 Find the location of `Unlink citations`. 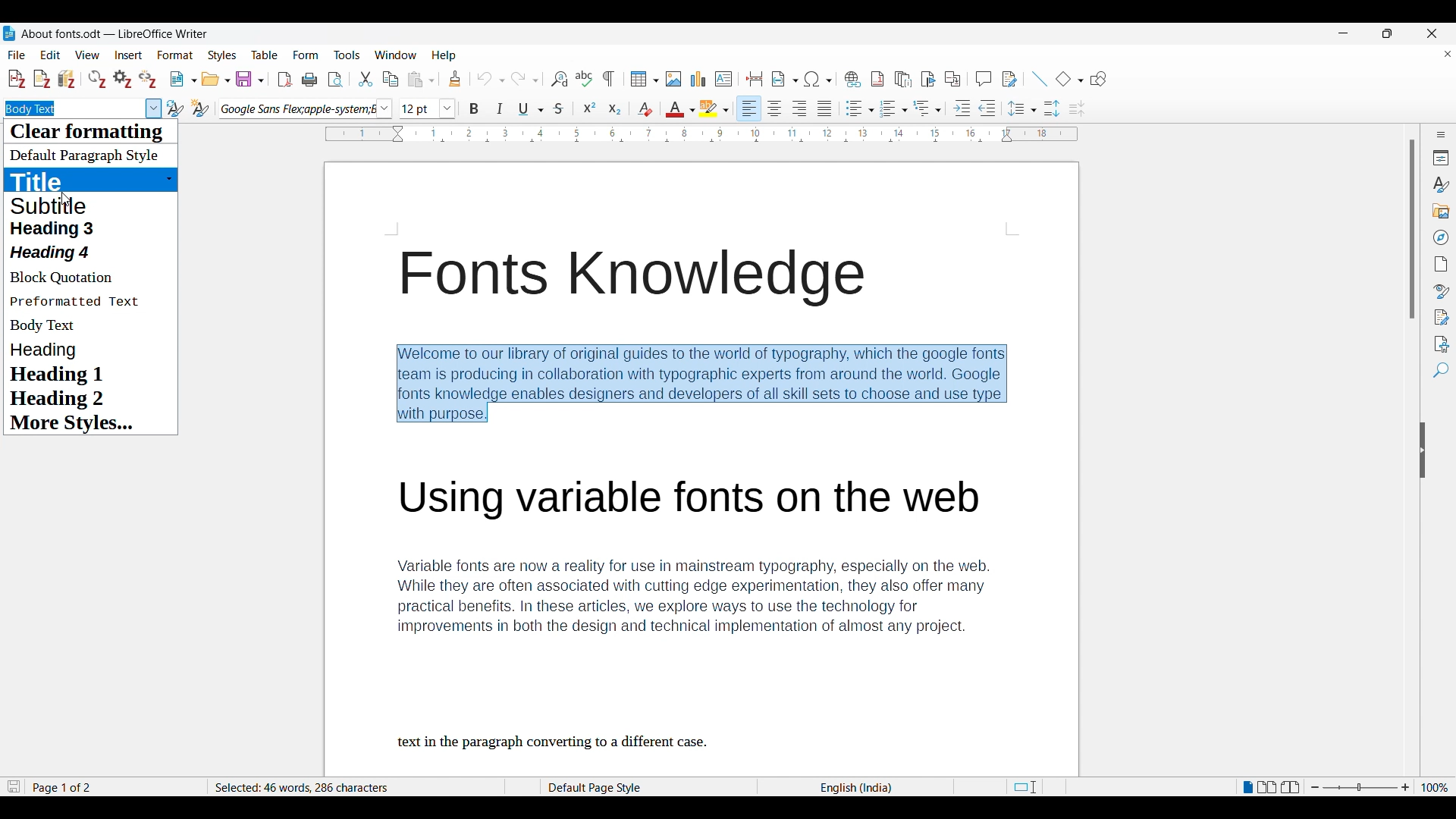

Unlink citations is located at coordinates (148, 79).